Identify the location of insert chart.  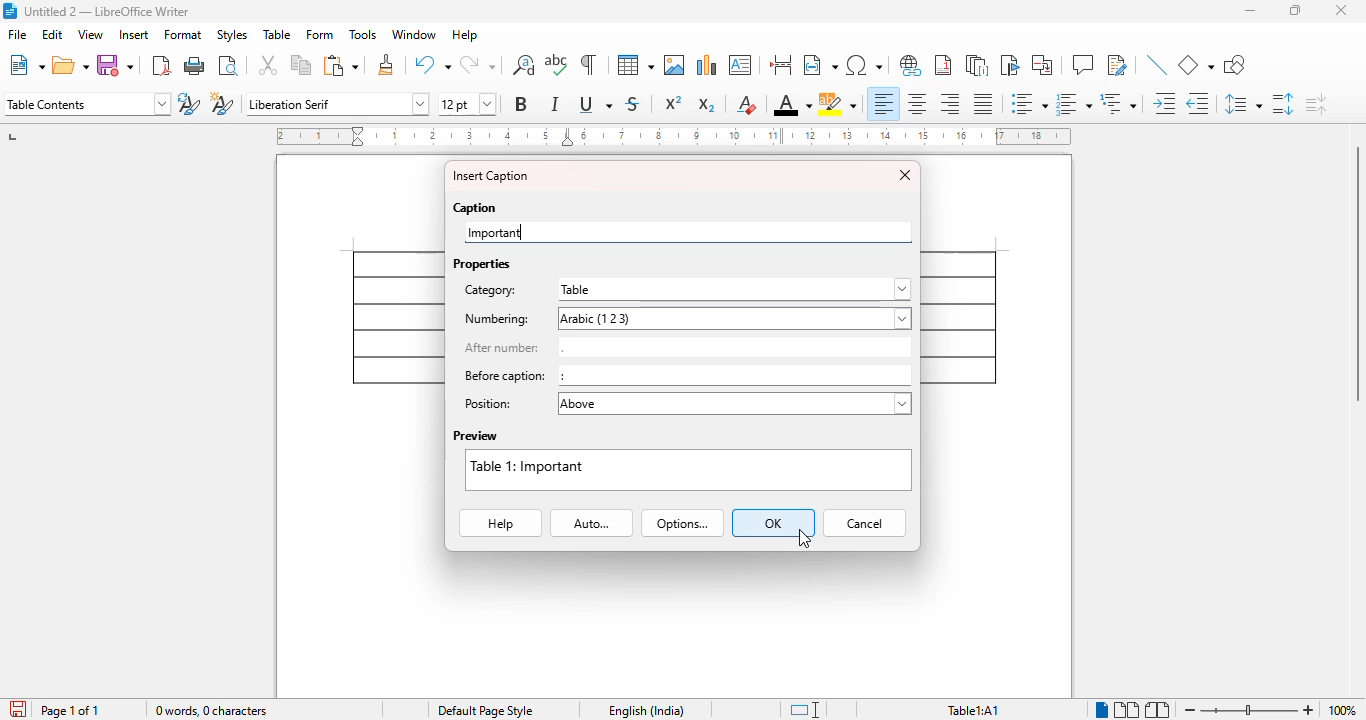
(708, 65).